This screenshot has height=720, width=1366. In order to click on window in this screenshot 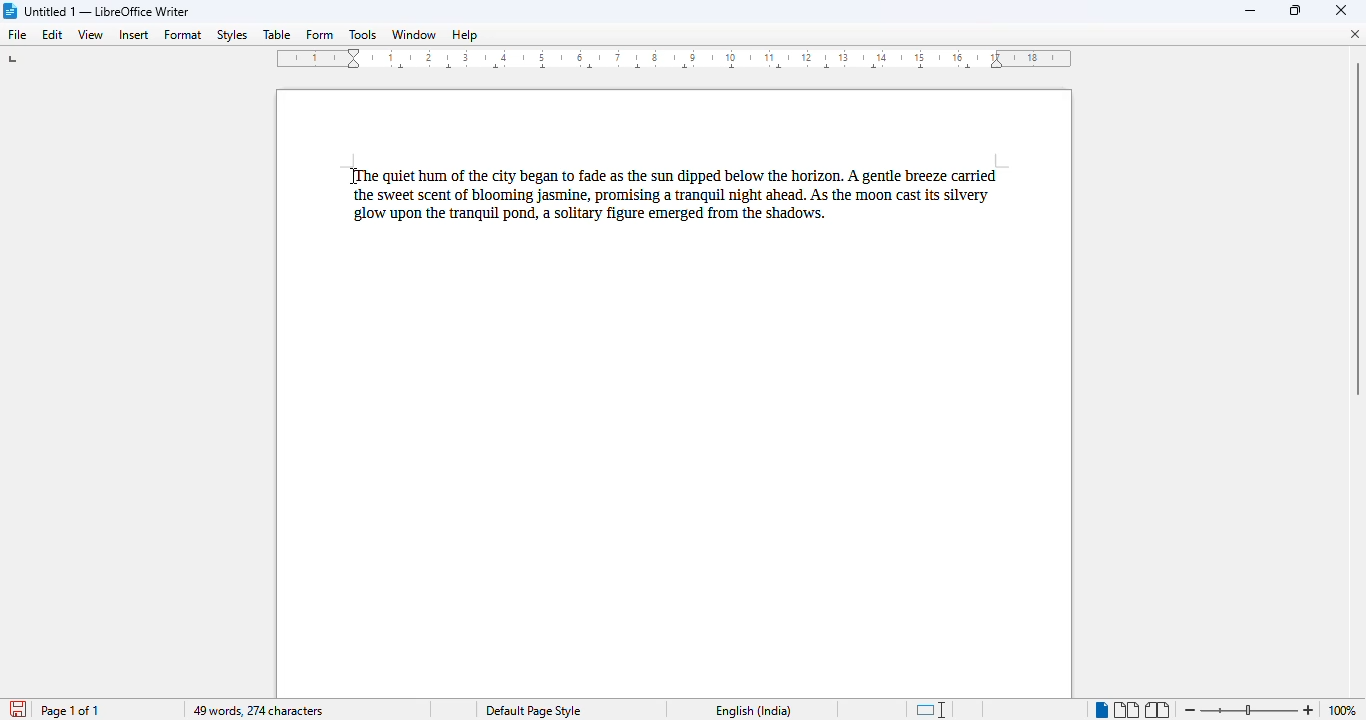, I will do `click(413, 34)`.